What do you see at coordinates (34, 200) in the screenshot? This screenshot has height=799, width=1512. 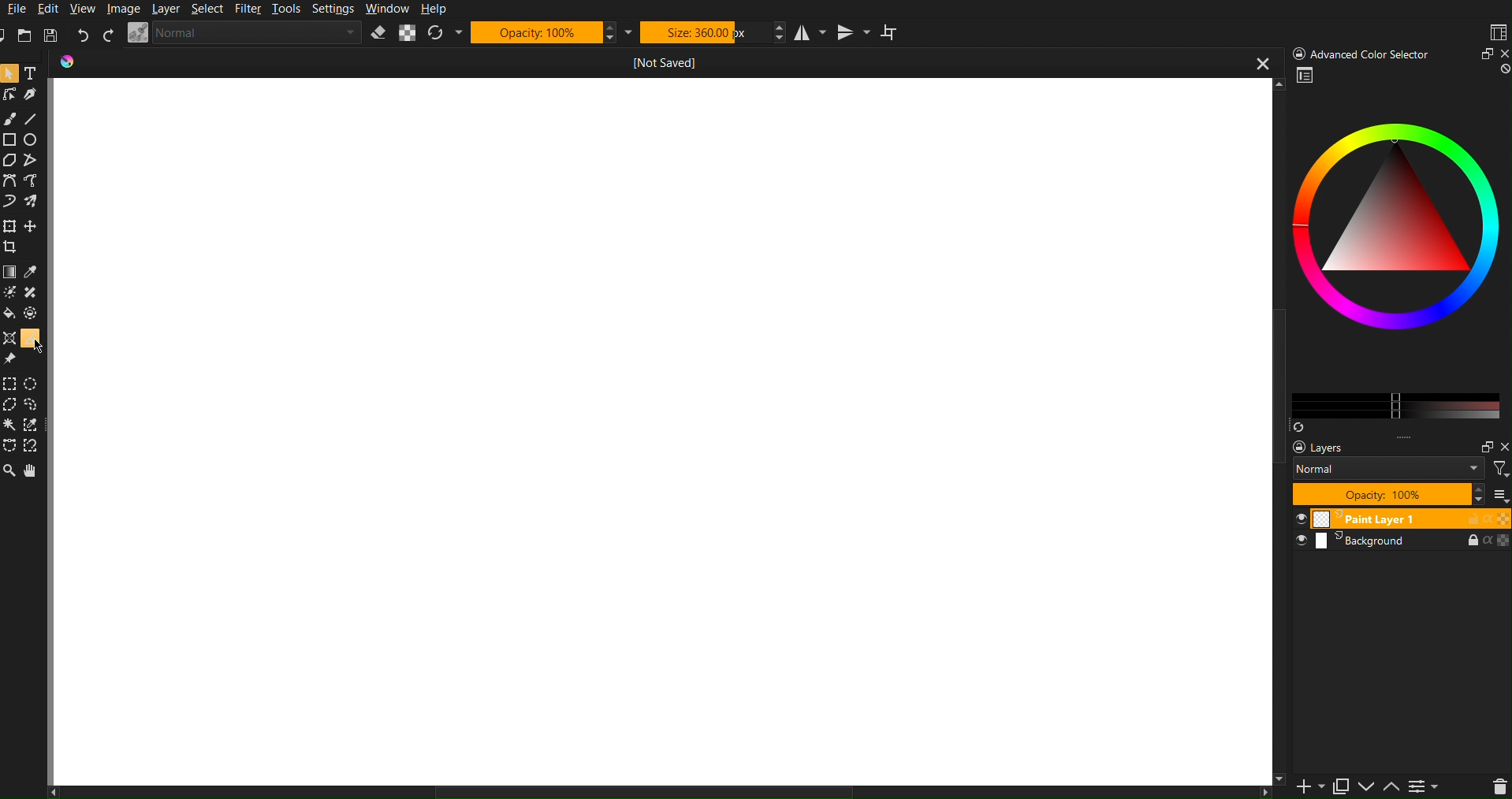 I see `Brushes` at bounding box center [34, 200].